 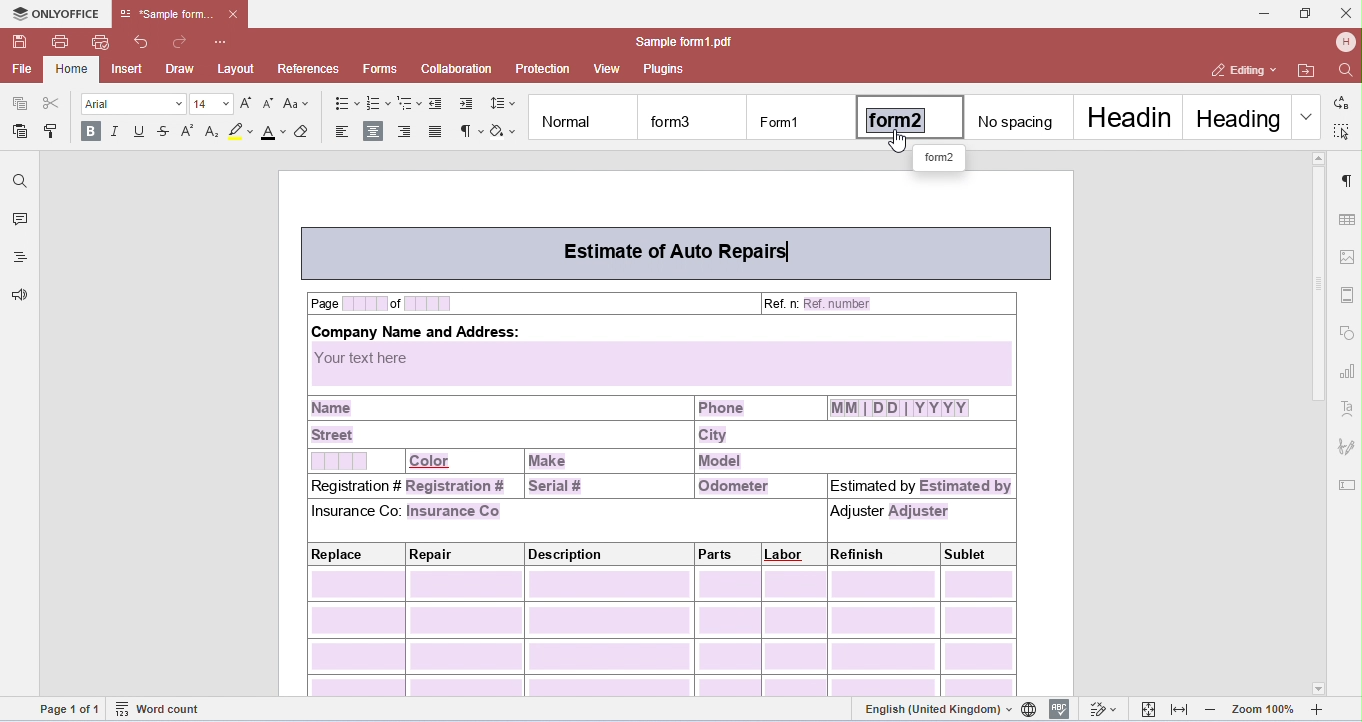 What do you see at coordinates (54, 13) in the screenshot?
I see `onlyoffice` at bounding box center [54, 13].